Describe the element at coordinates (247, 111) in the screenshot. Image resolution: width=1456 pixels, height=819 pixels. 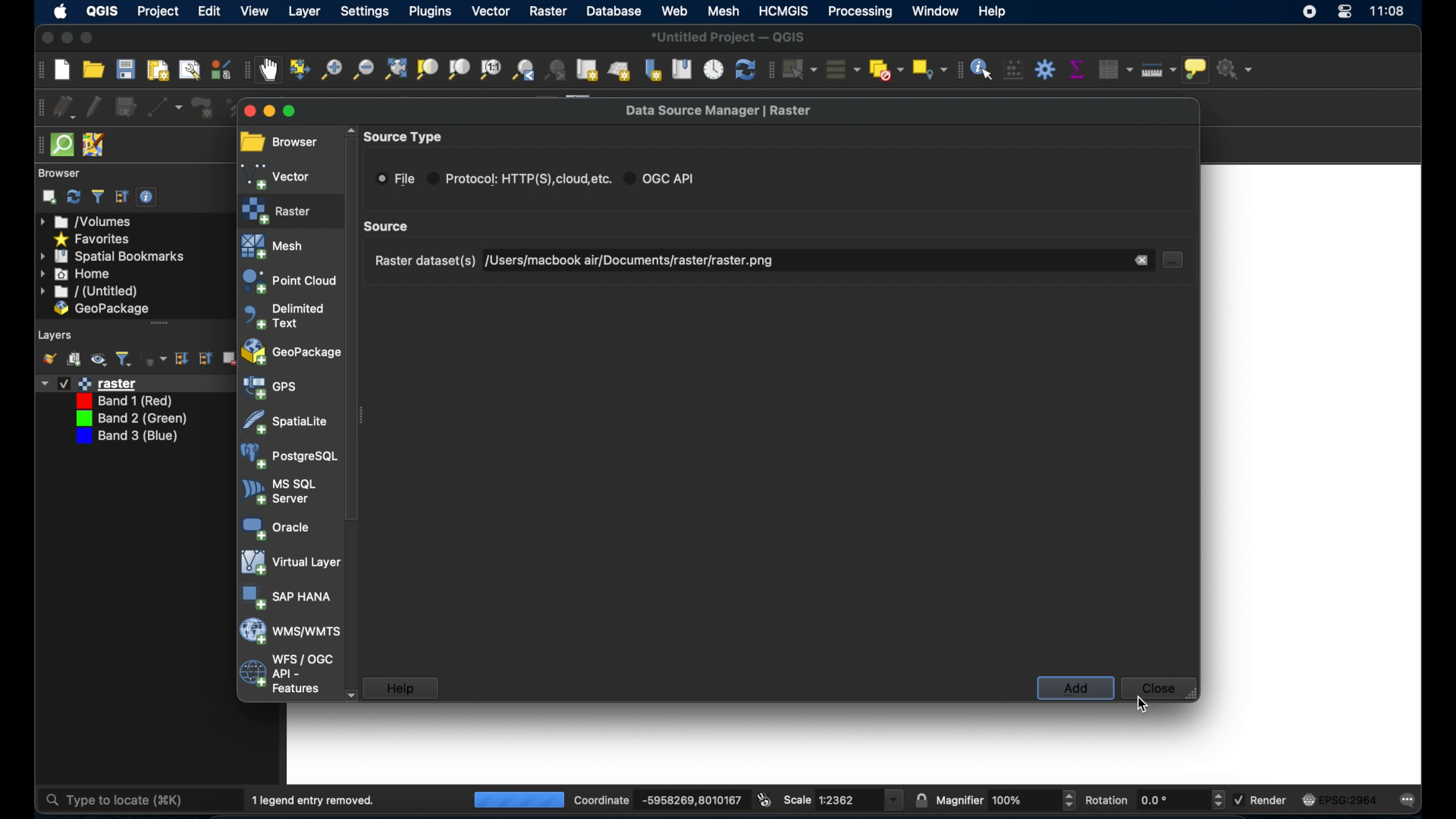
I see `close` at that location.